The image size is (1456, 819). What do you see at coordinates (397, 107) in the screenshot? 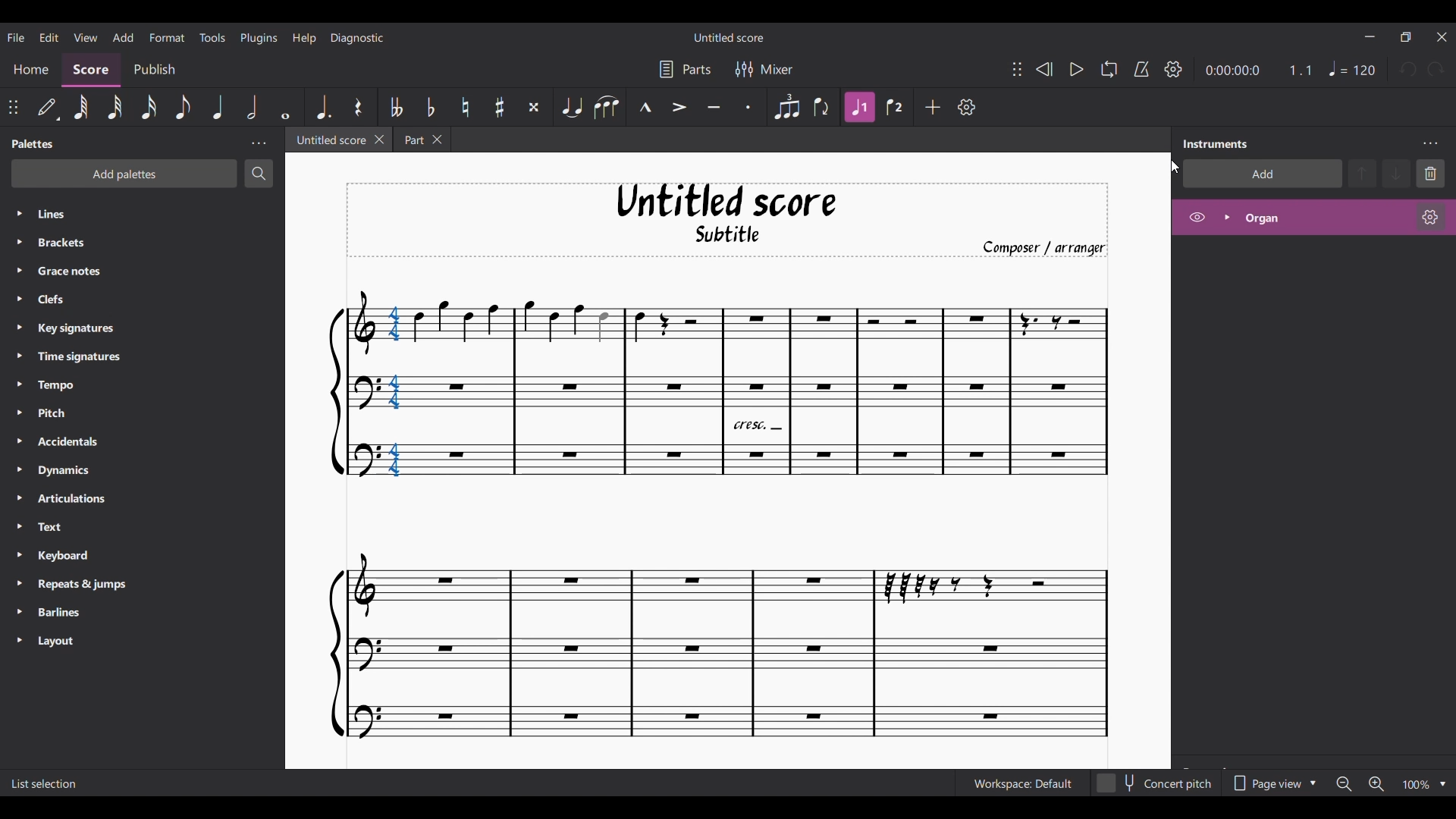
I see `Toggle double flat` at bounding box center [397, 107].